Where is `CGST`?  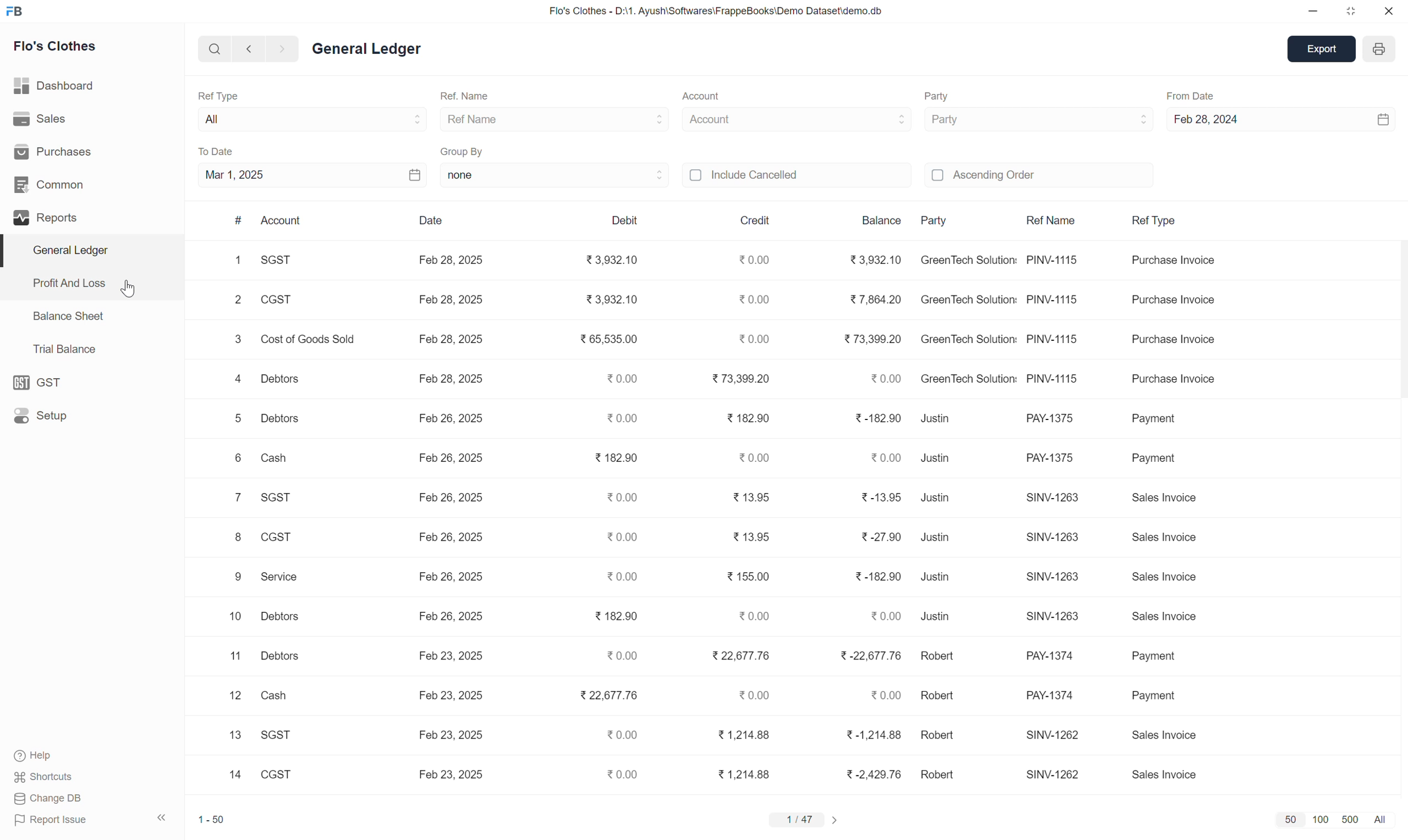
CGST is located at coordinates (283, 301).